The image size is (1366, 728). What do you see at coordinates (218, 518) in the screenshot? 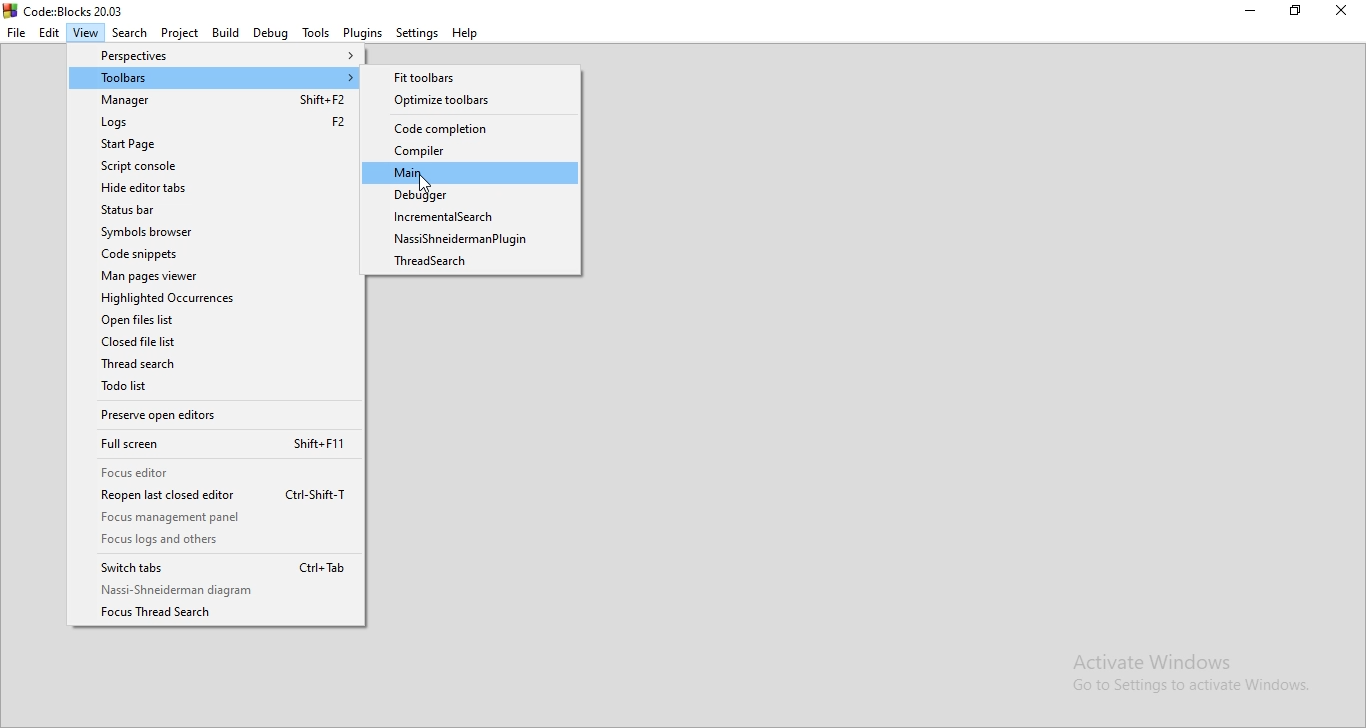
I see `Focus management panel` at bounding box center [218, 518].